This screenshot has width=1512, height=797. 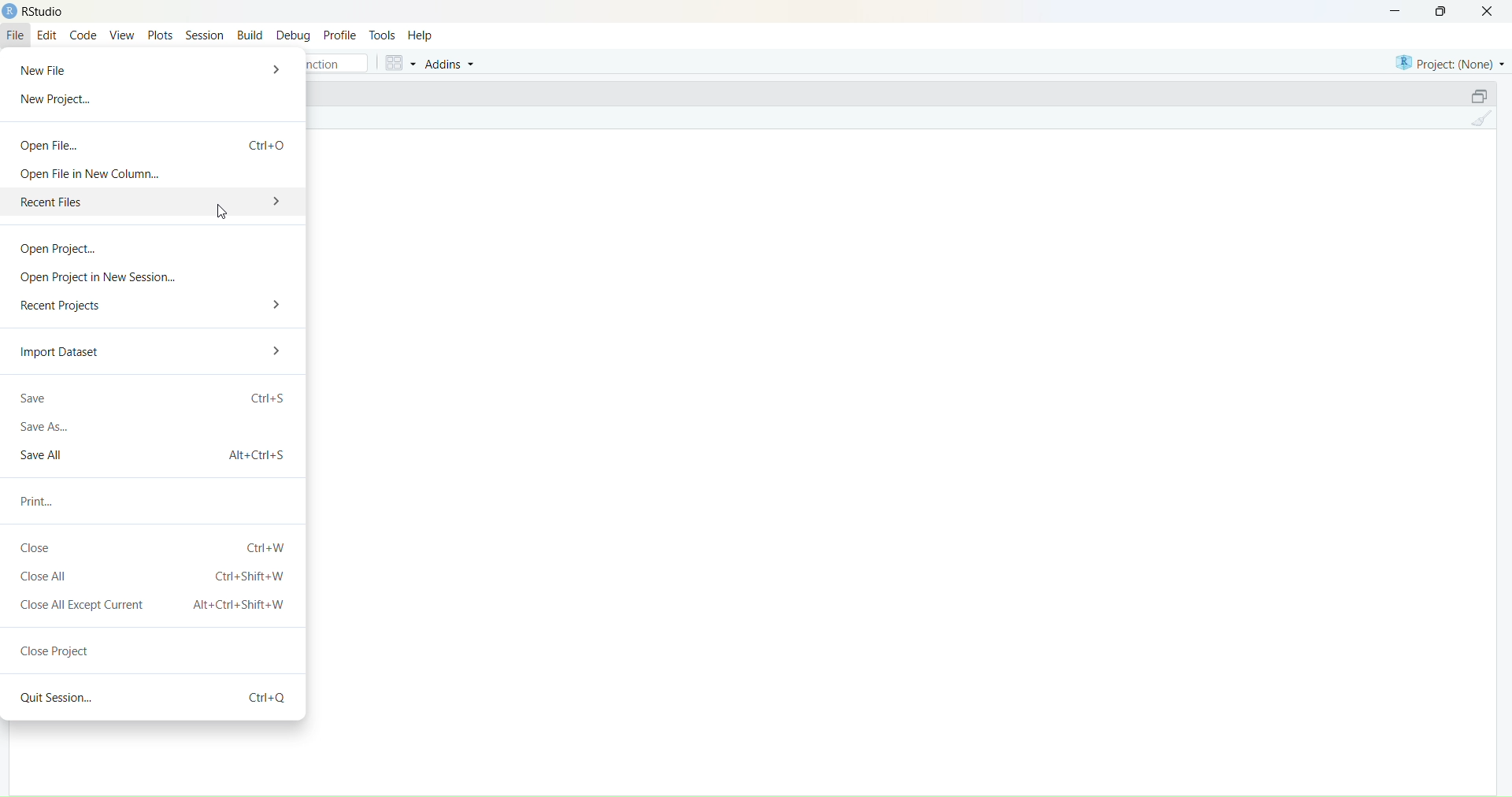 What do you see at coordinates (279, 69) in the screenshot?
I see `More` at bounding box center [279, 69].